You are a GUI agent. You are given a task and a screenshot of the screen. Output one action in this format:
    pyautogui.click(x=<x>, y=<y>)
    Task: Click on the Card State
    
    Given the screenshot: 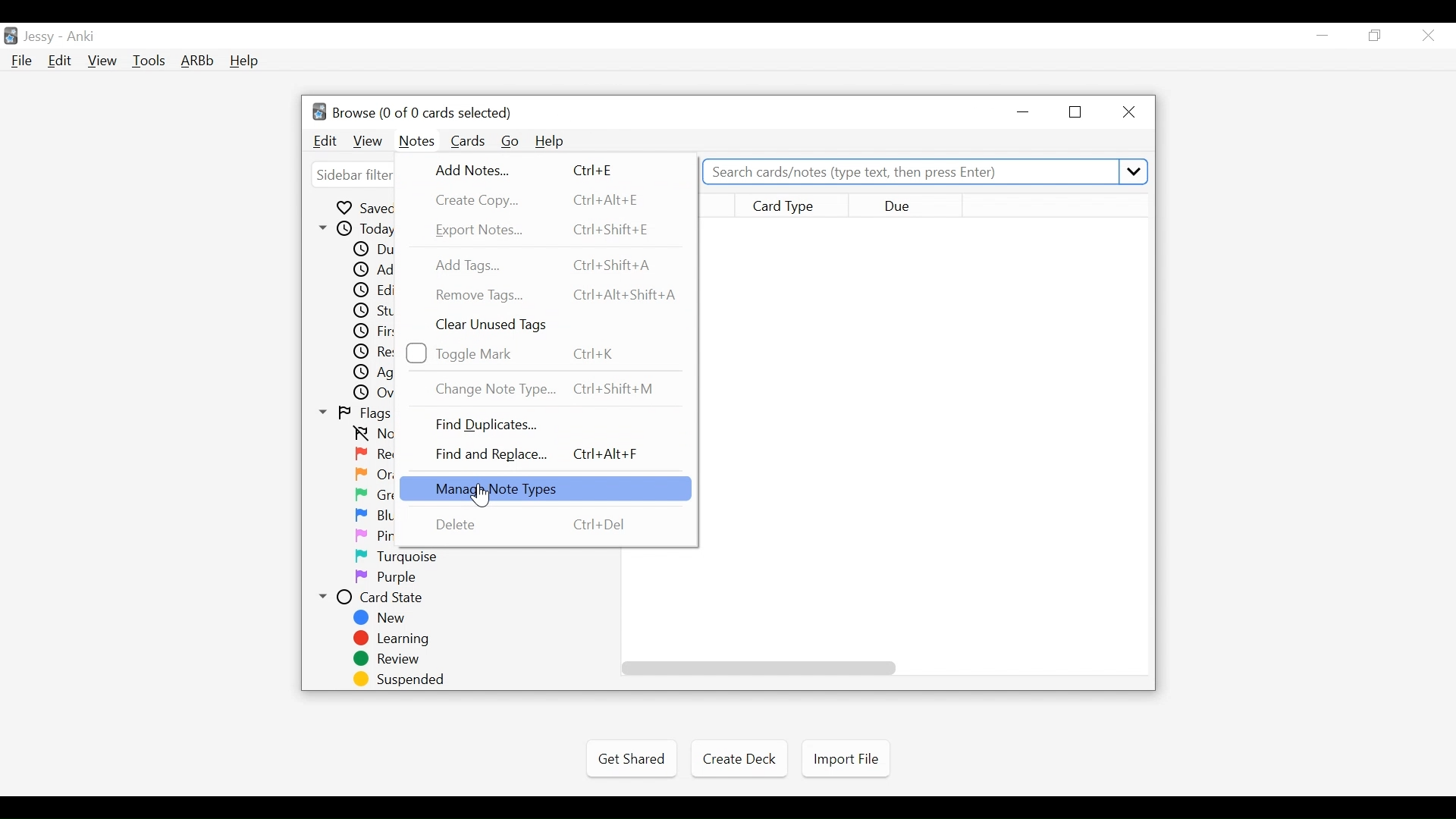 What is the action you would take?
    pyautogui.click(x=375, y=597)
    